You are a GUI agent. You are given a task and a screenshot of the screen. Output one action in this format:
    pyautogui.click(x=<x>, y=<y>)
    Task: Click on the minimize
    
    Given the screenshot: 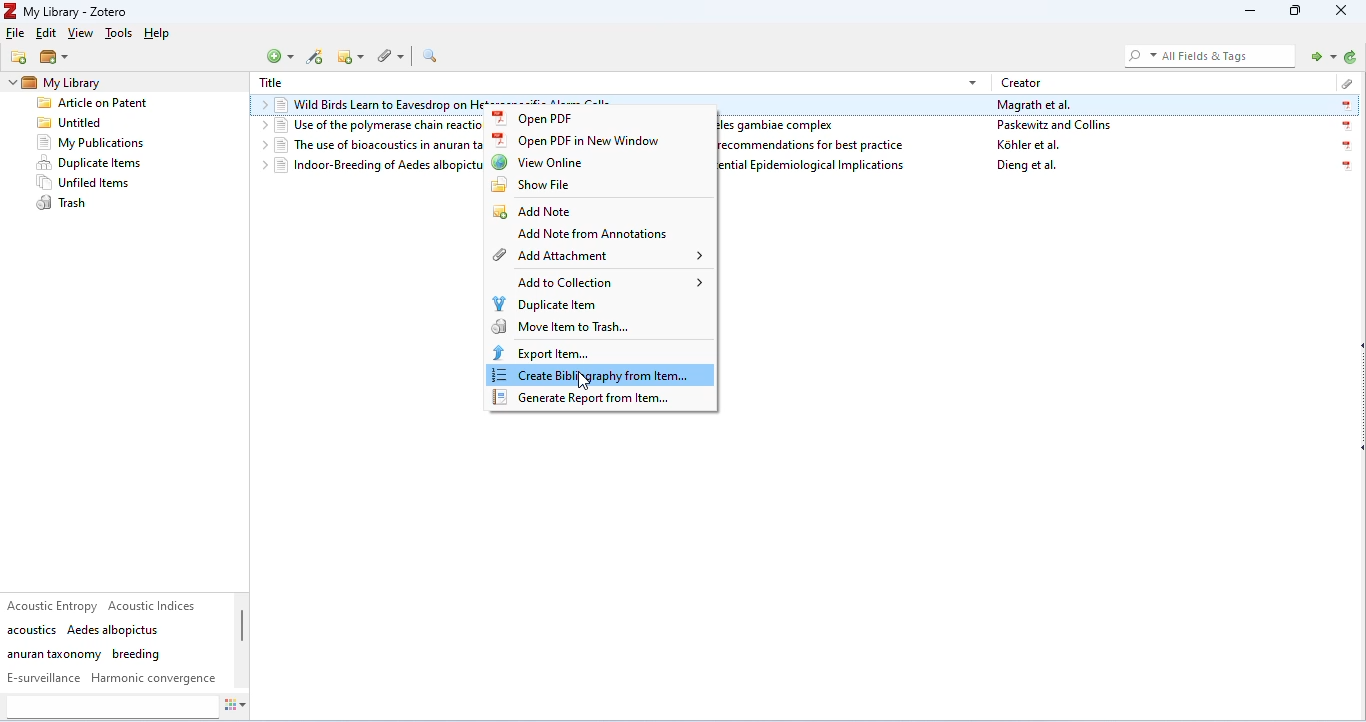 What is the action you would take?
    pyautogui.click(x=1246, y=12)
    